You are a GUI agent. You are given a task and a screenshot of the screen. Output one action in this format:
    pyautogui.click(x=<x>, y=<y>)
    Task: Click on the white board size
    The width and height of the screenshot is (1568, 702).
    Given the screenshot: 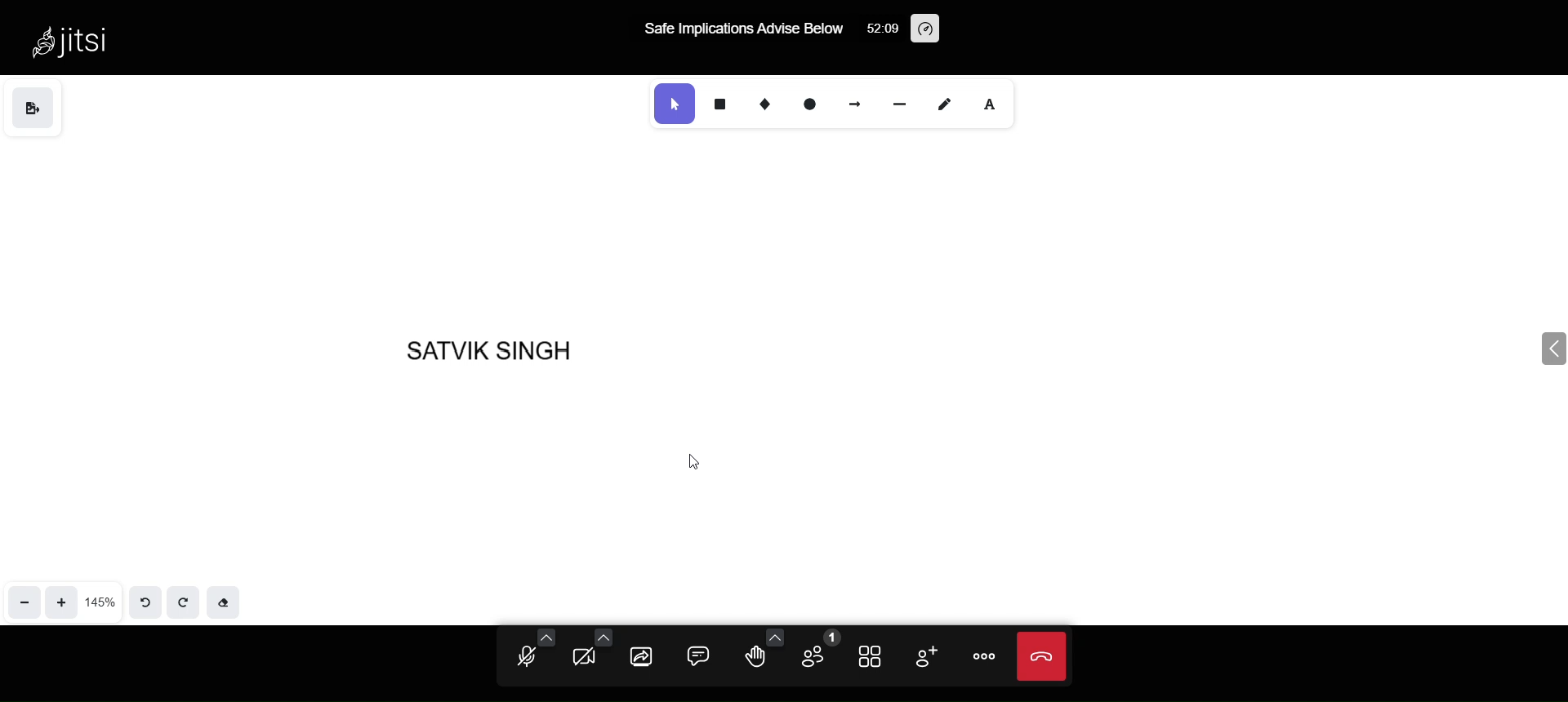 What is the action you would take?
    pyautogui.click(x=100, y=601)
    